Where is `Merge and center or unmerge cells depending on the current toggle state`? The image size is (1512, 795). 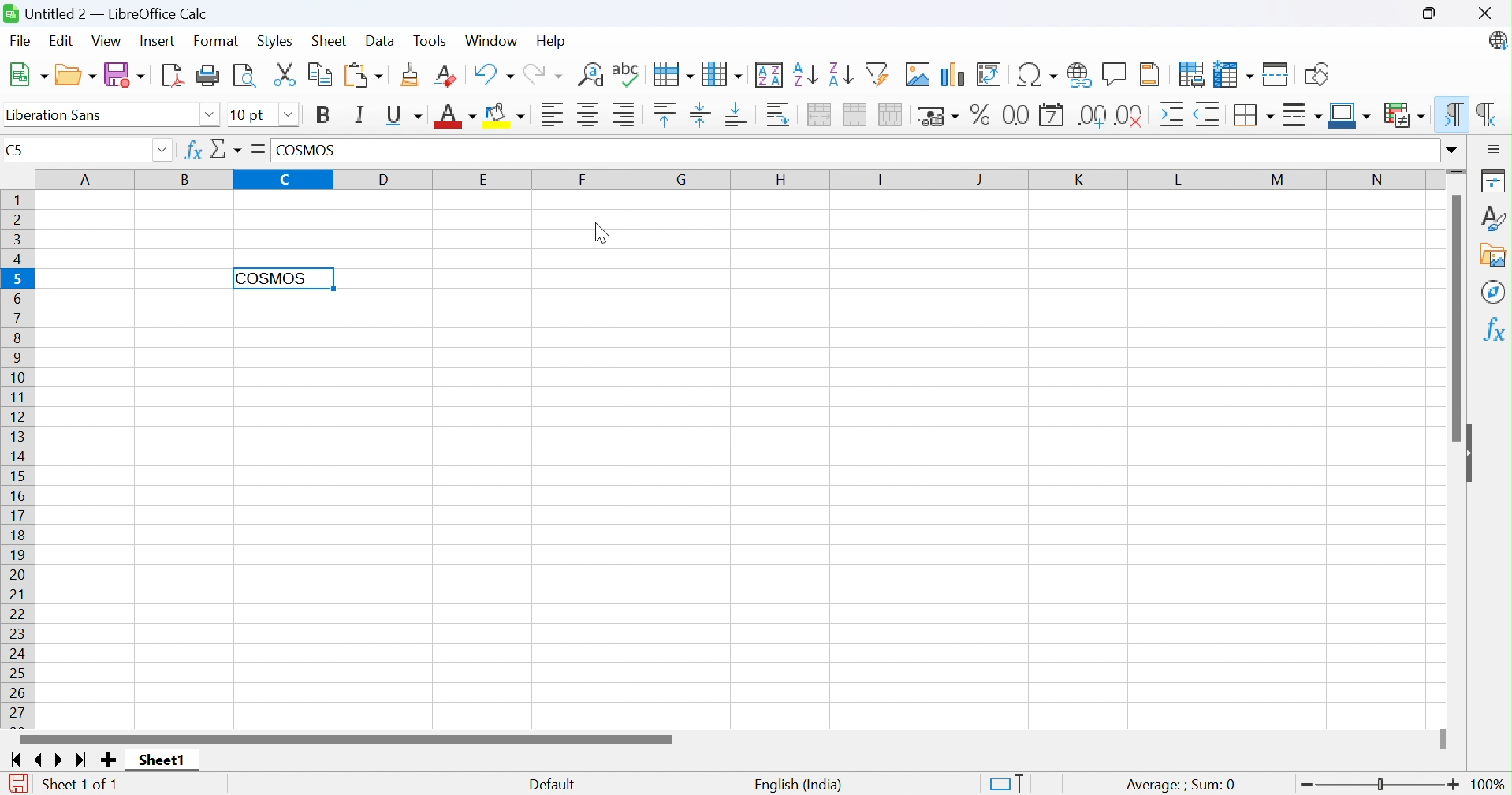
Merge and center or unmerge cells depending on the current toggle state is located at coordinates (819, 114).